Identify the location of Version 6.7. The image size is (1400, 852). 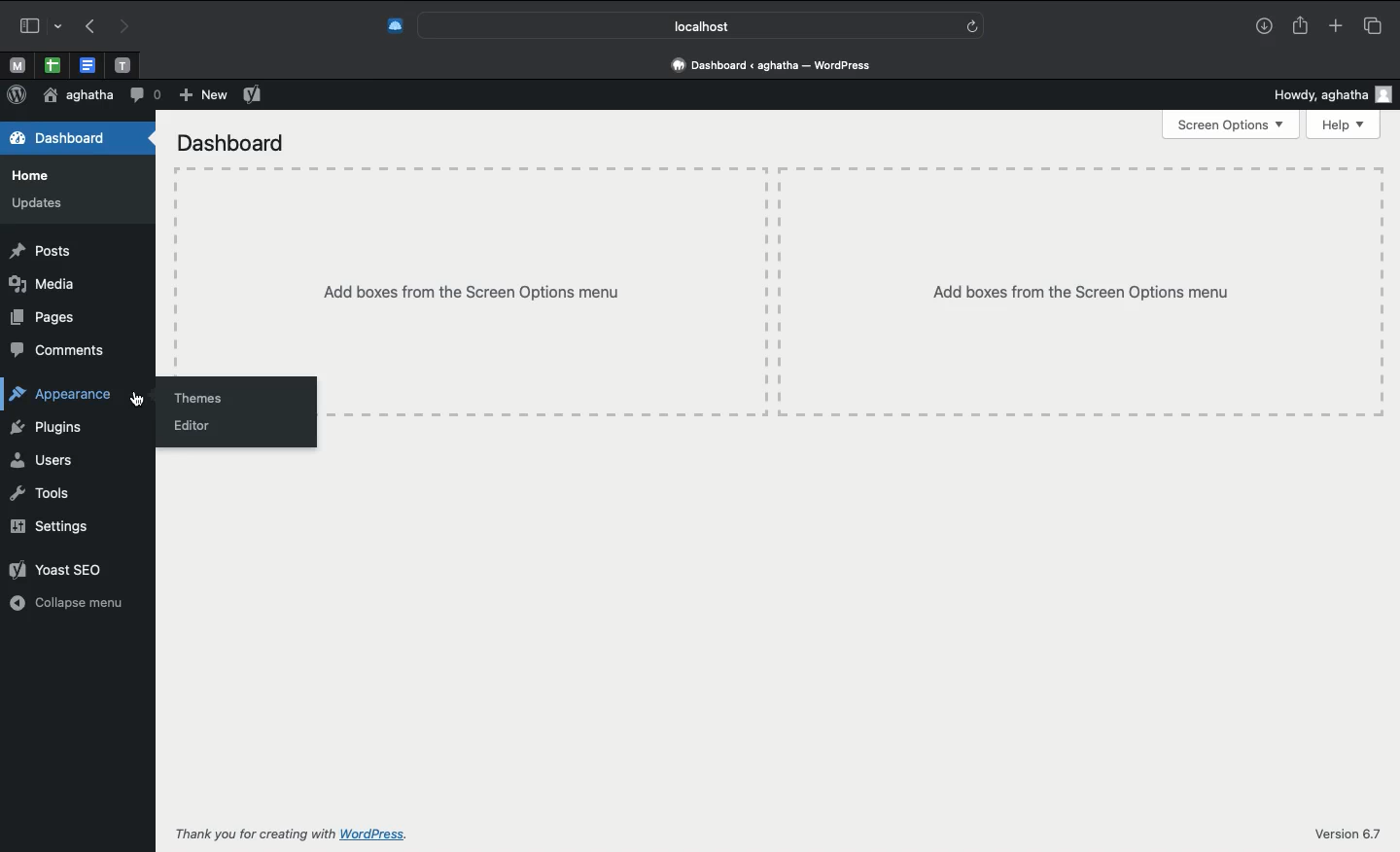
(1350, 834).